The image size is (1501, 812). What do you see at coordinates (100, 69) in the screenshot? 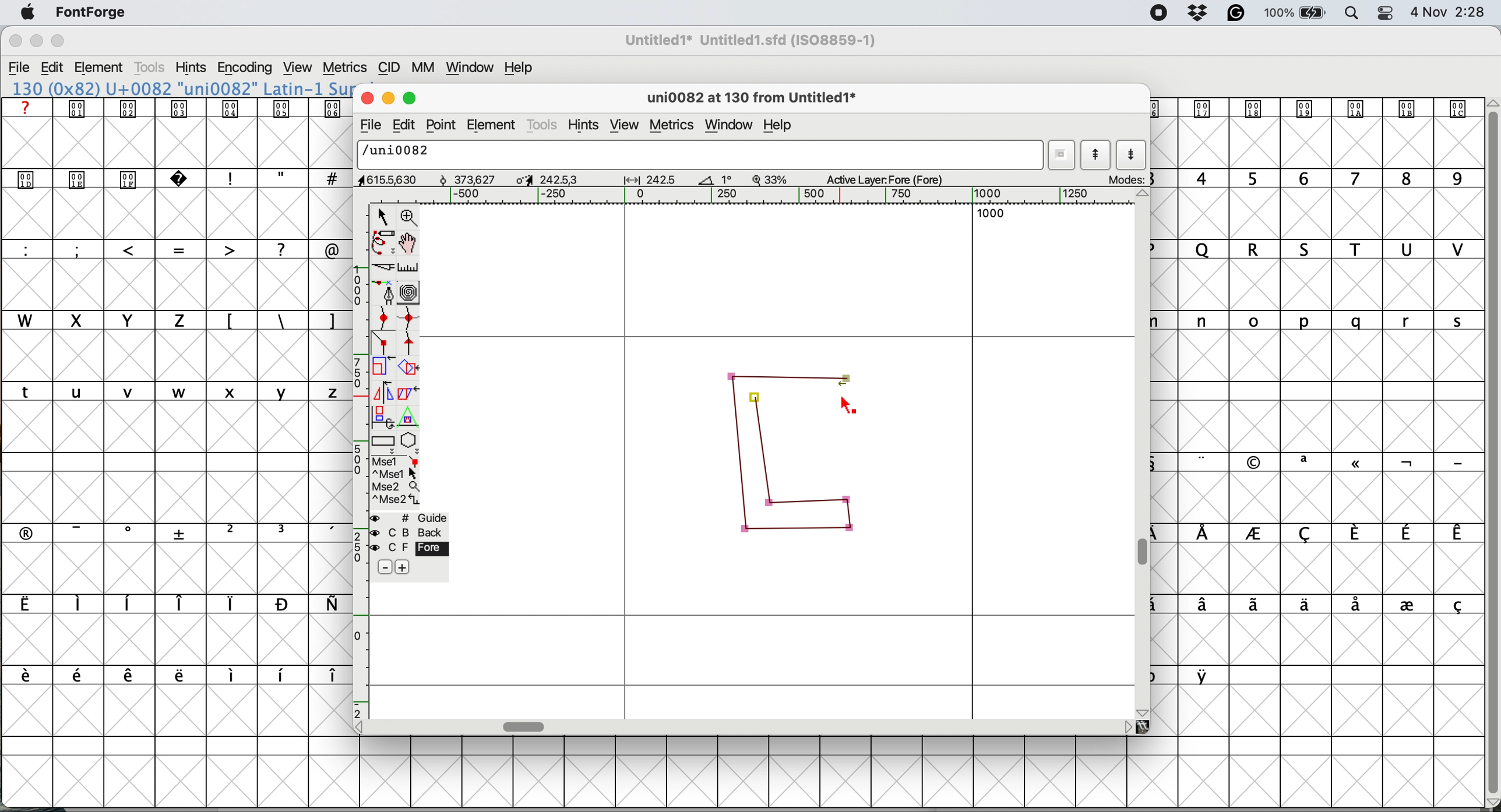
I see `element` at bounding box center [100, 69].